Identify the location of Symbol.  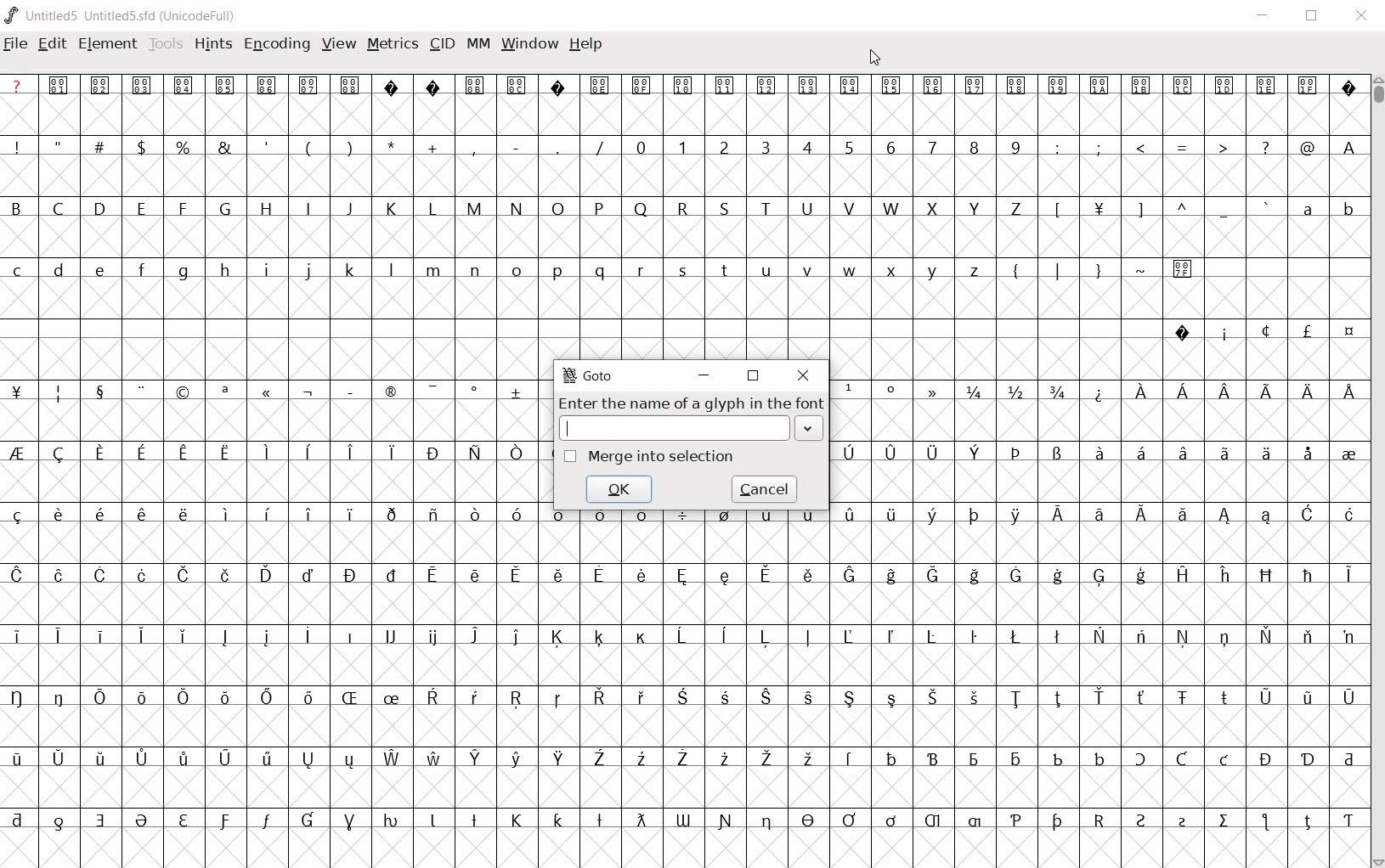
(1141, 577).